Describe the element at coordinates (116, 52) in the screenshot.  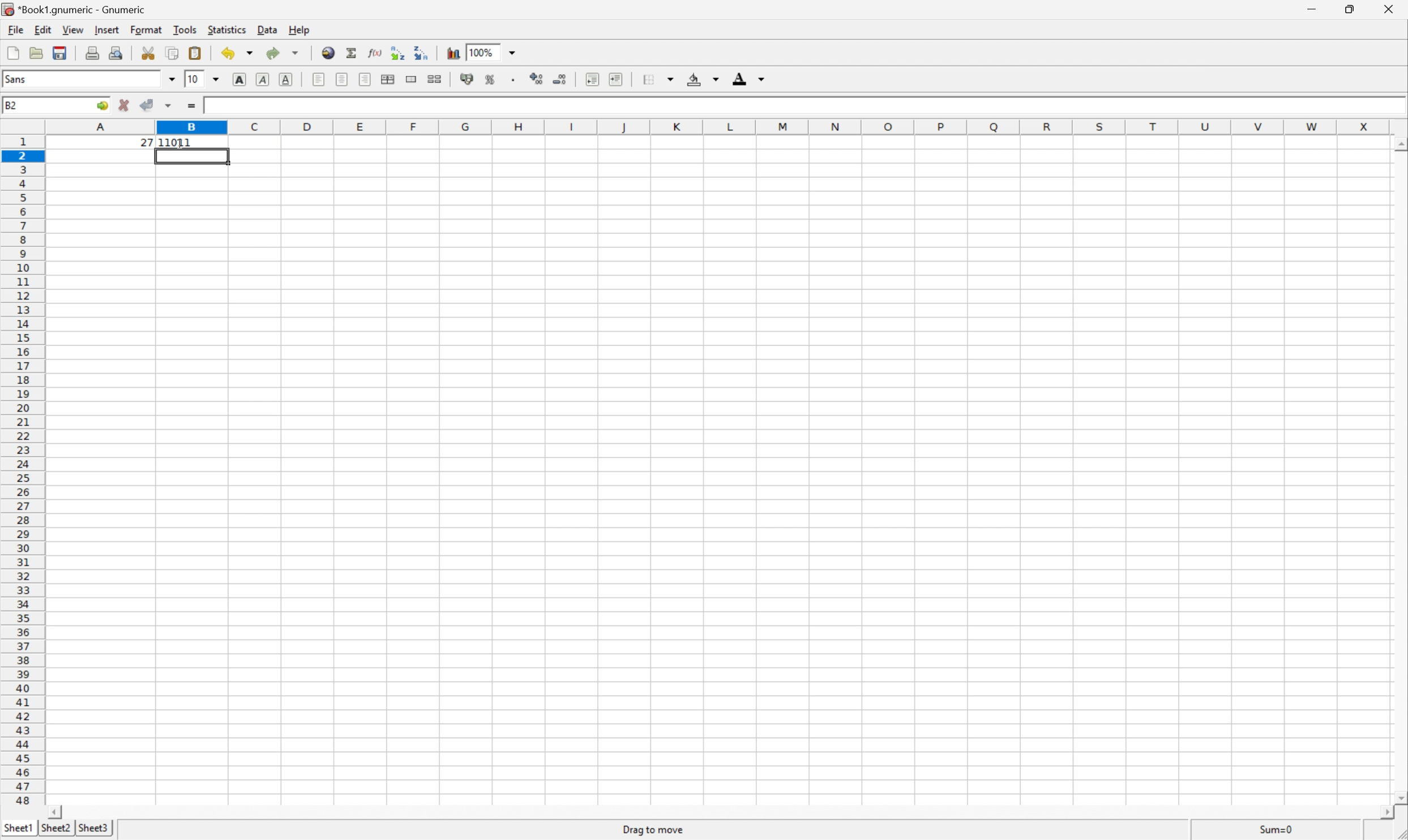
I see `Print preview` at that location.